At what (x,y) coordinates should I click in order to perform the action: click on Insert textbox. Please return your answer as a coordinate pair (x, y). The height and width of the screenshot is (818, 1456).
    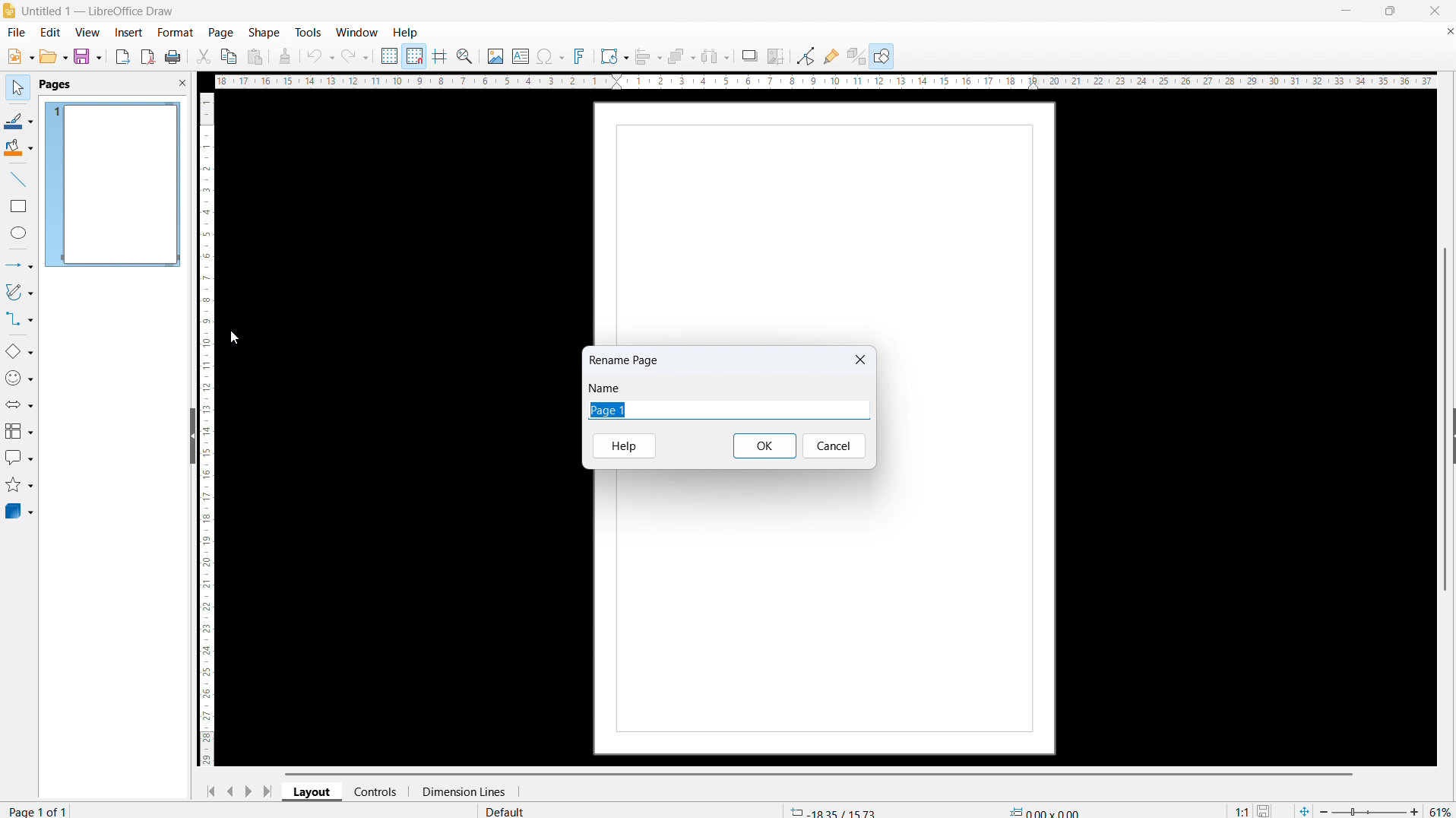
    Looking at the image, I should click on (521, 56).